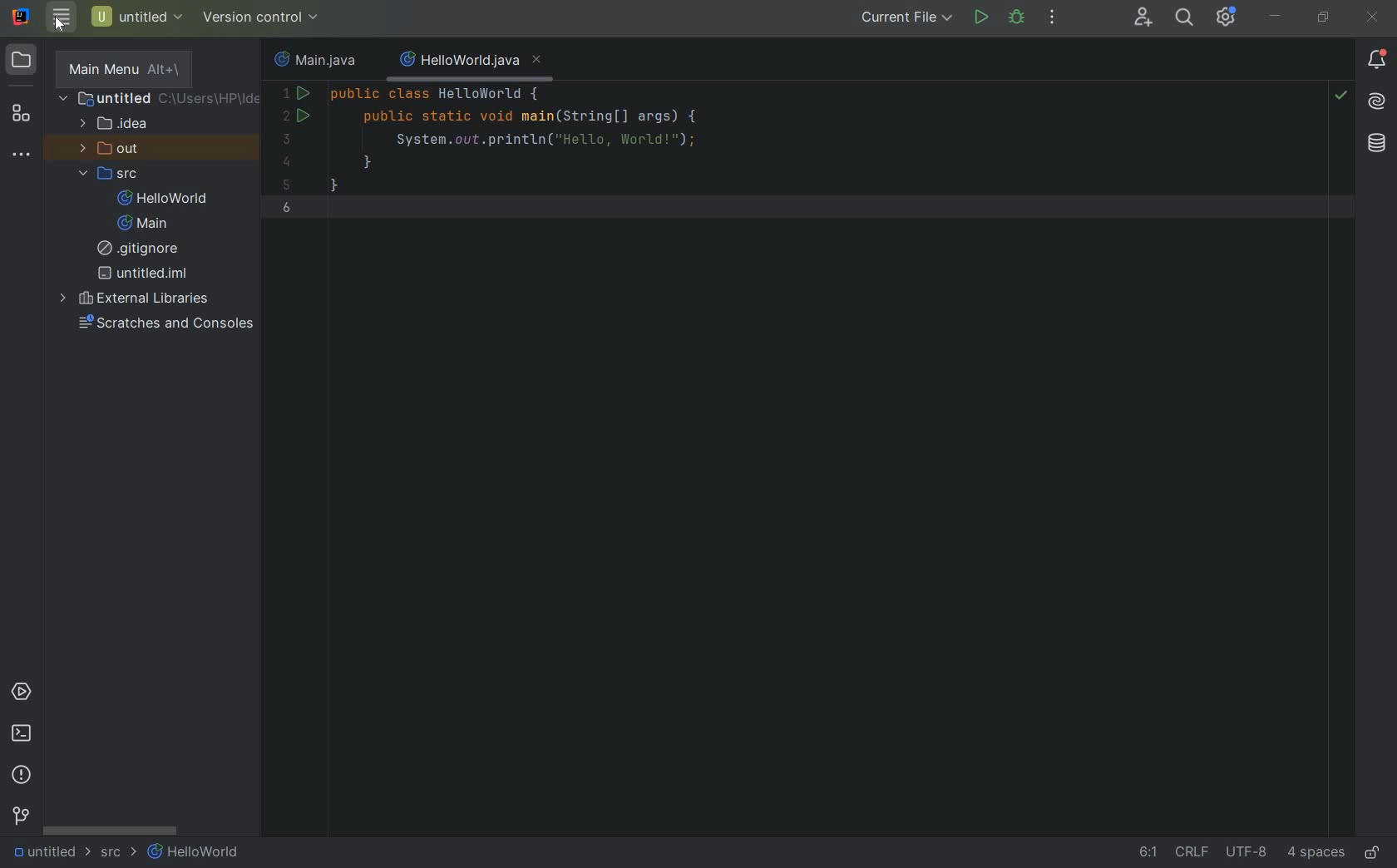 This screenshot has height=868, width=1397. What do you see at coordinates (906, 19) in the screenshot?
I see `CURRENT FILE` at bounding box center [906, 19].